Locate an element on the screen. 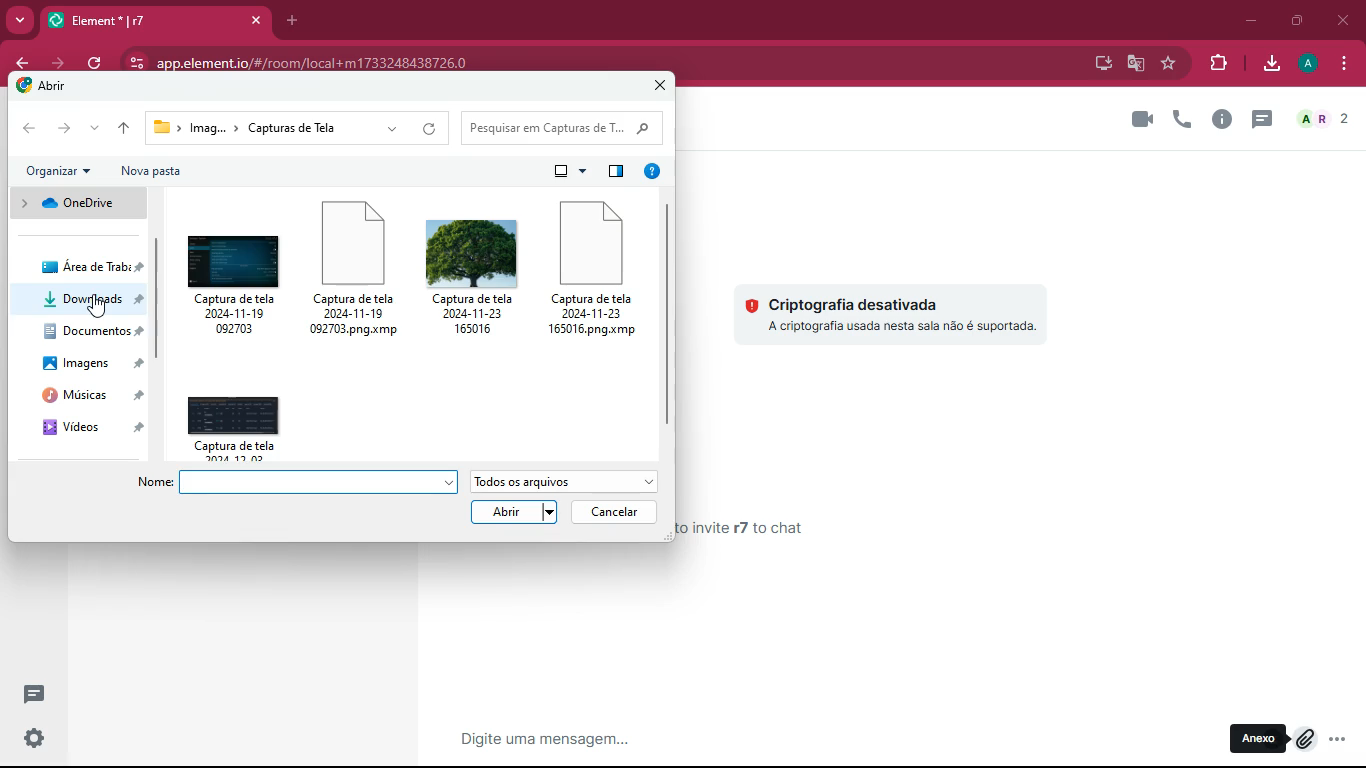 Image resolution: width=1366 pixels, height=768 pixels. more is located at coordinates (95, 128).